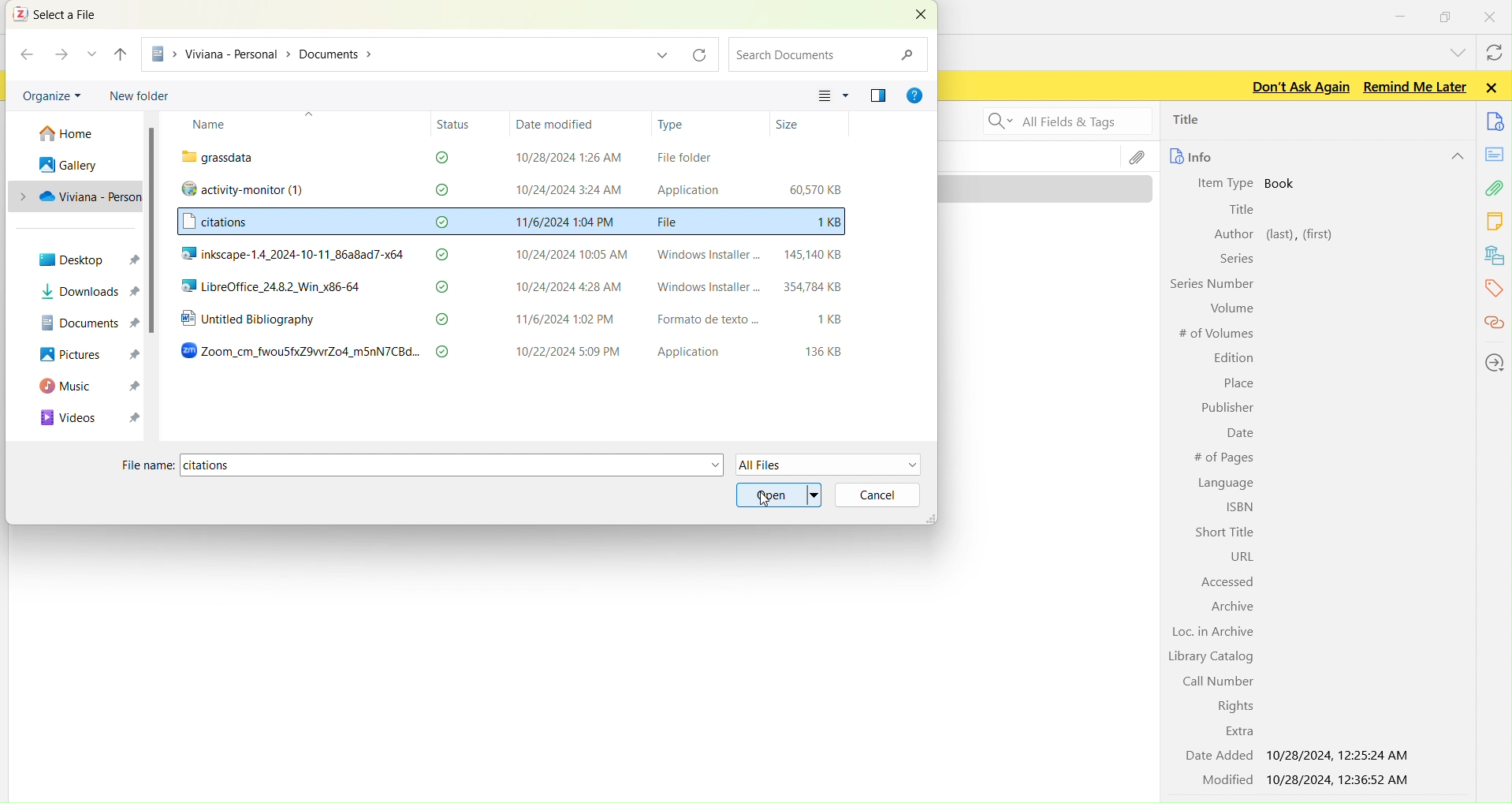 This screenshot has width=1512, height=803. Describe the element at coordinates (76, 292) in the screenshot. I see `downloads` at that location.